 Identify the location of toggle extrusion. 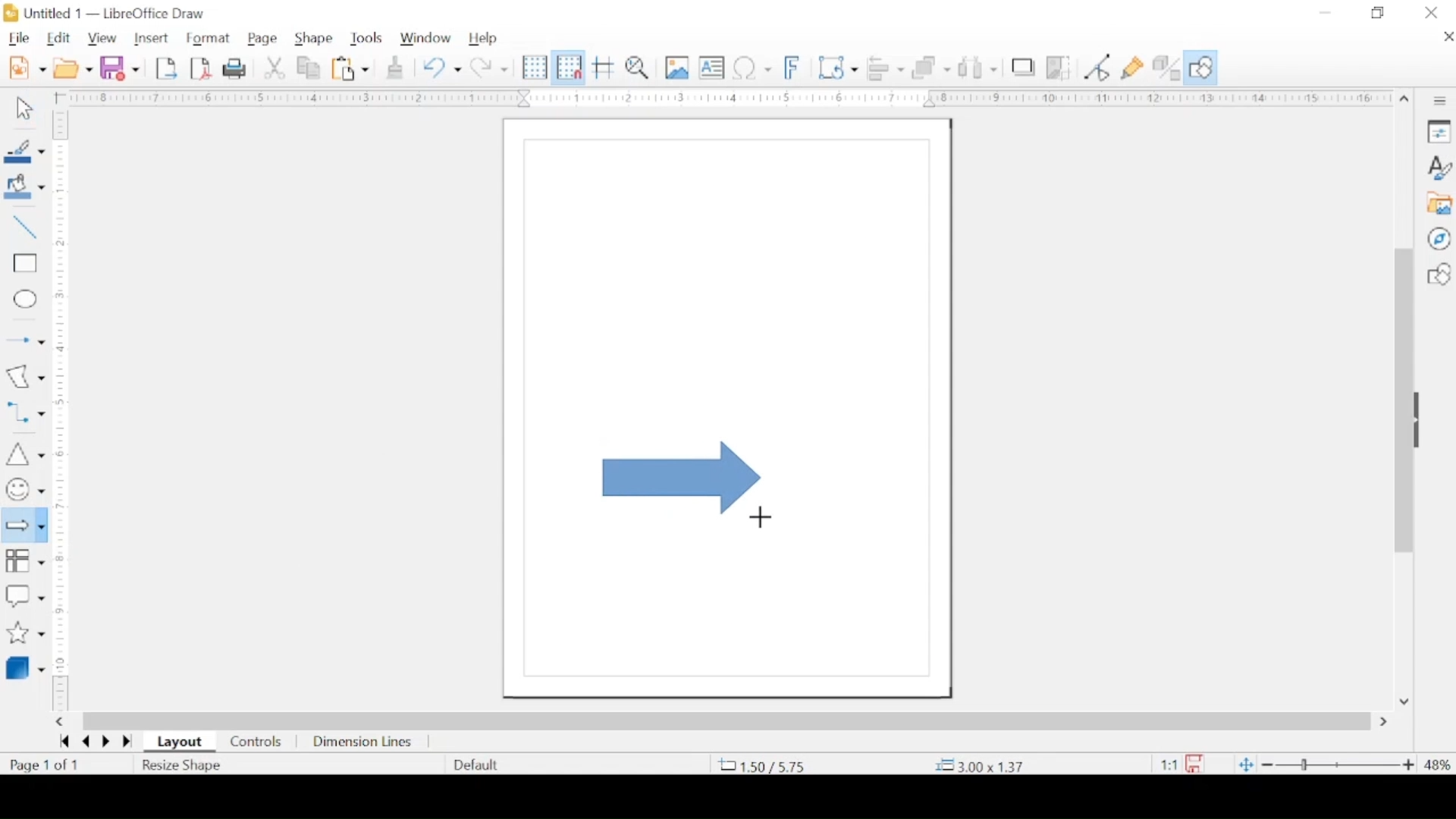
(1166, 67).